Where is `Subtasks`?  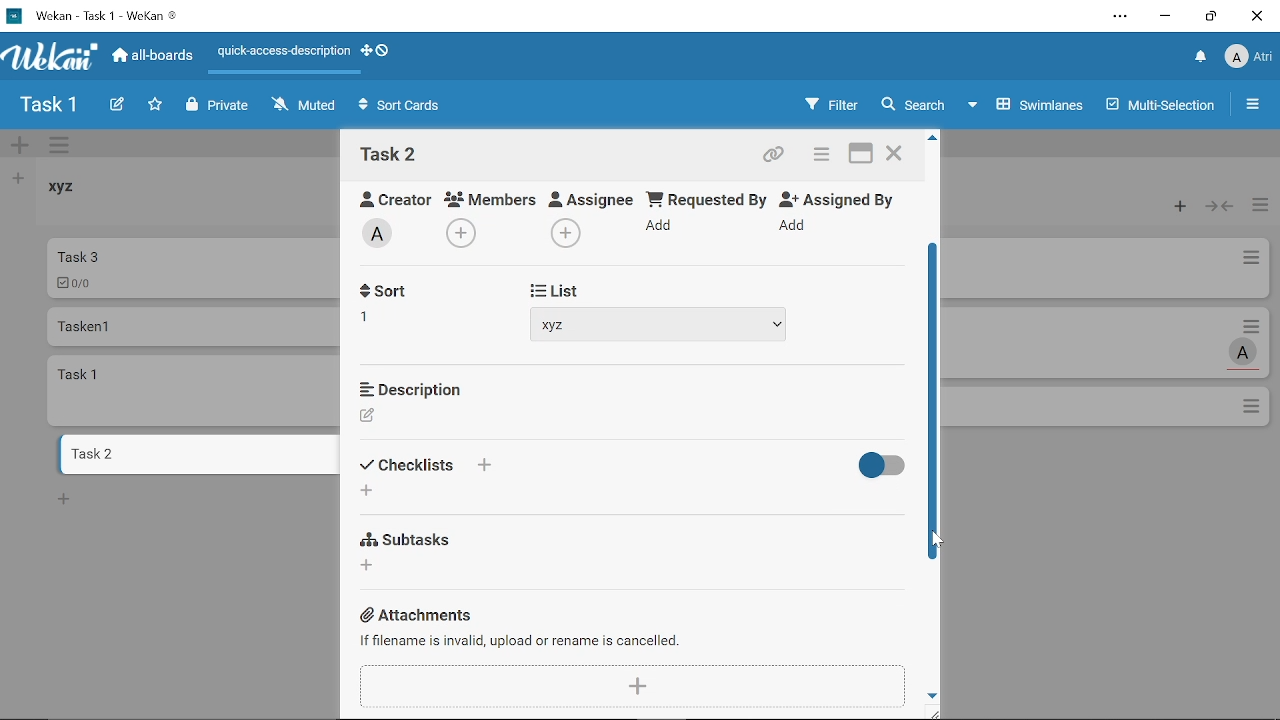
Subtasks is located at coordinates (410, 537).